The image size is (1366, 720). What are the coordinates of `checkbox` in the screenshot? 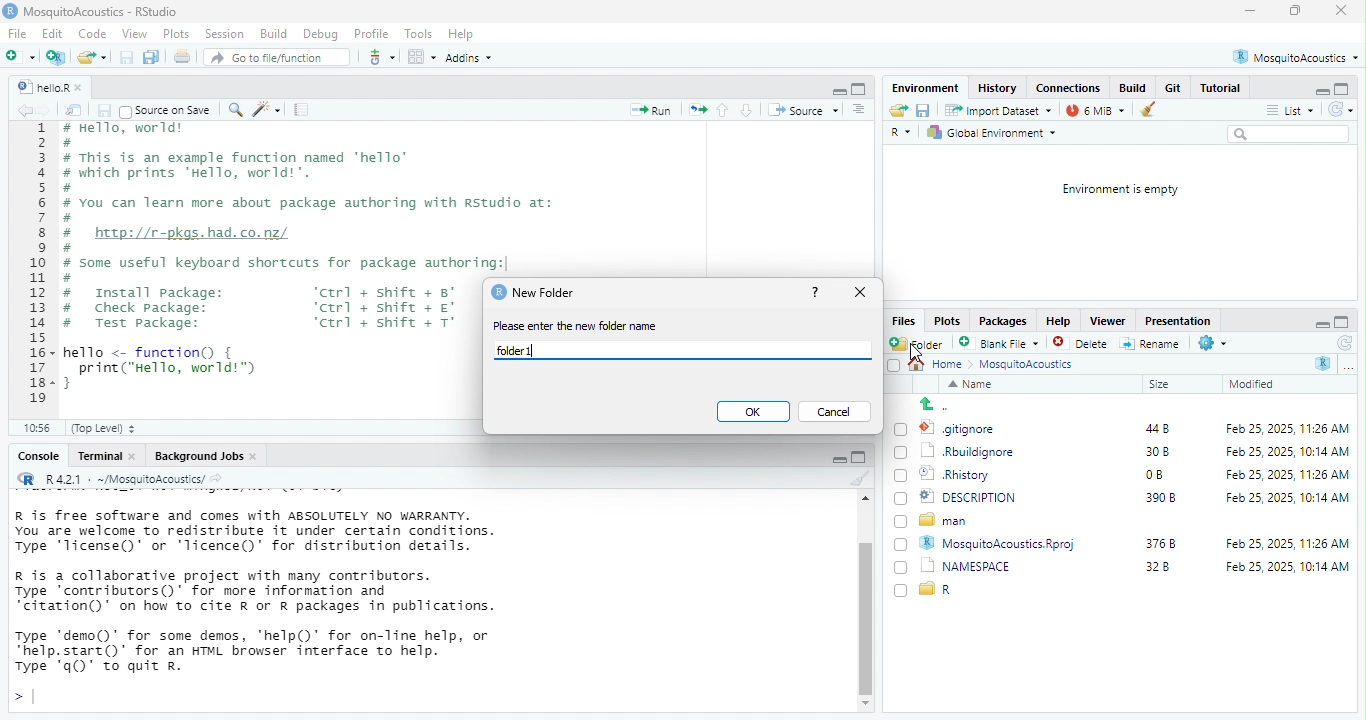 It's located at (890, 365).